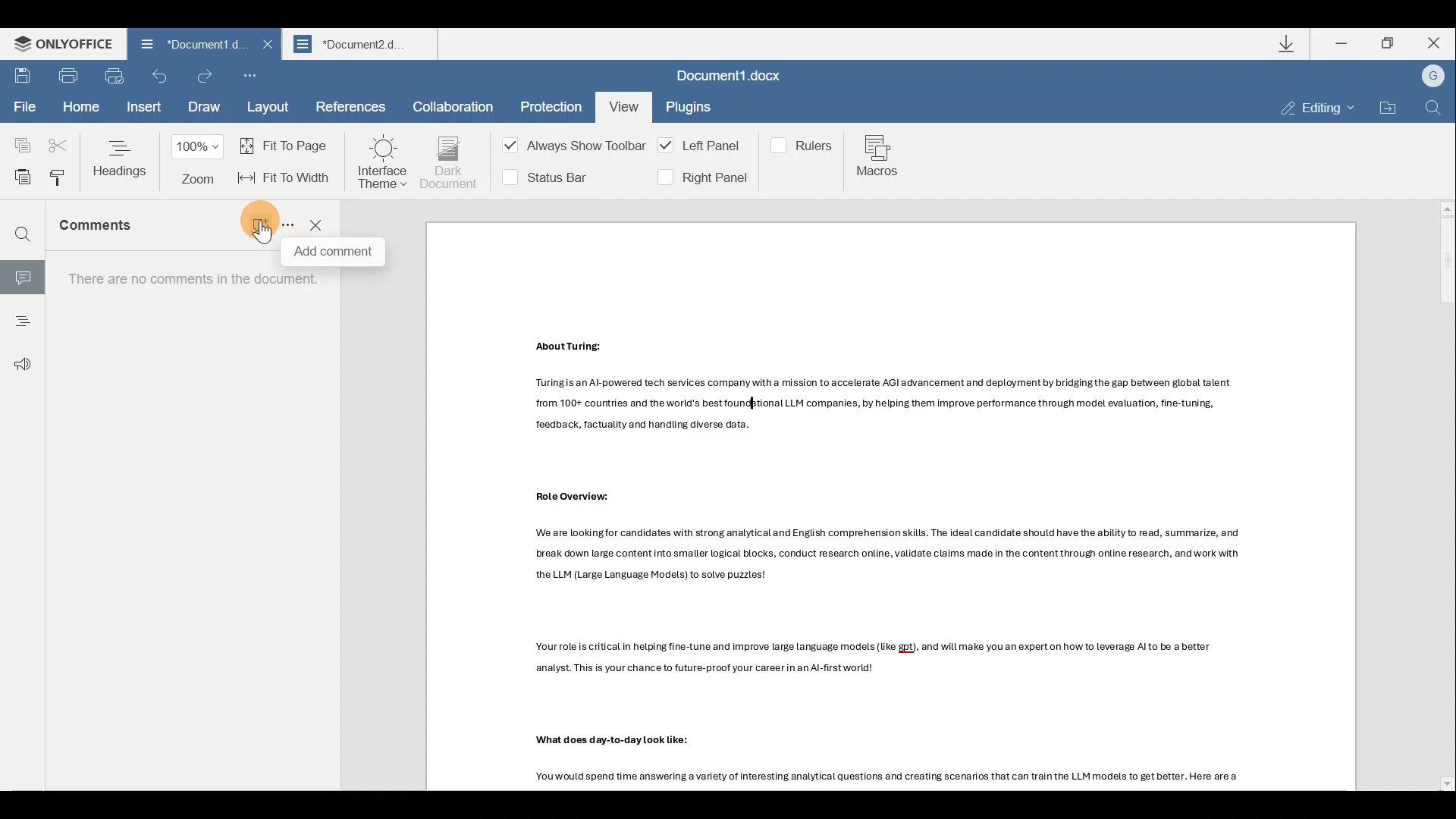 This screenshot has width=1456, height=819. What do you see at coordinates (569, 149) in the screenshot?
I see `Always show toolbar` at bounding box center [569, 149].